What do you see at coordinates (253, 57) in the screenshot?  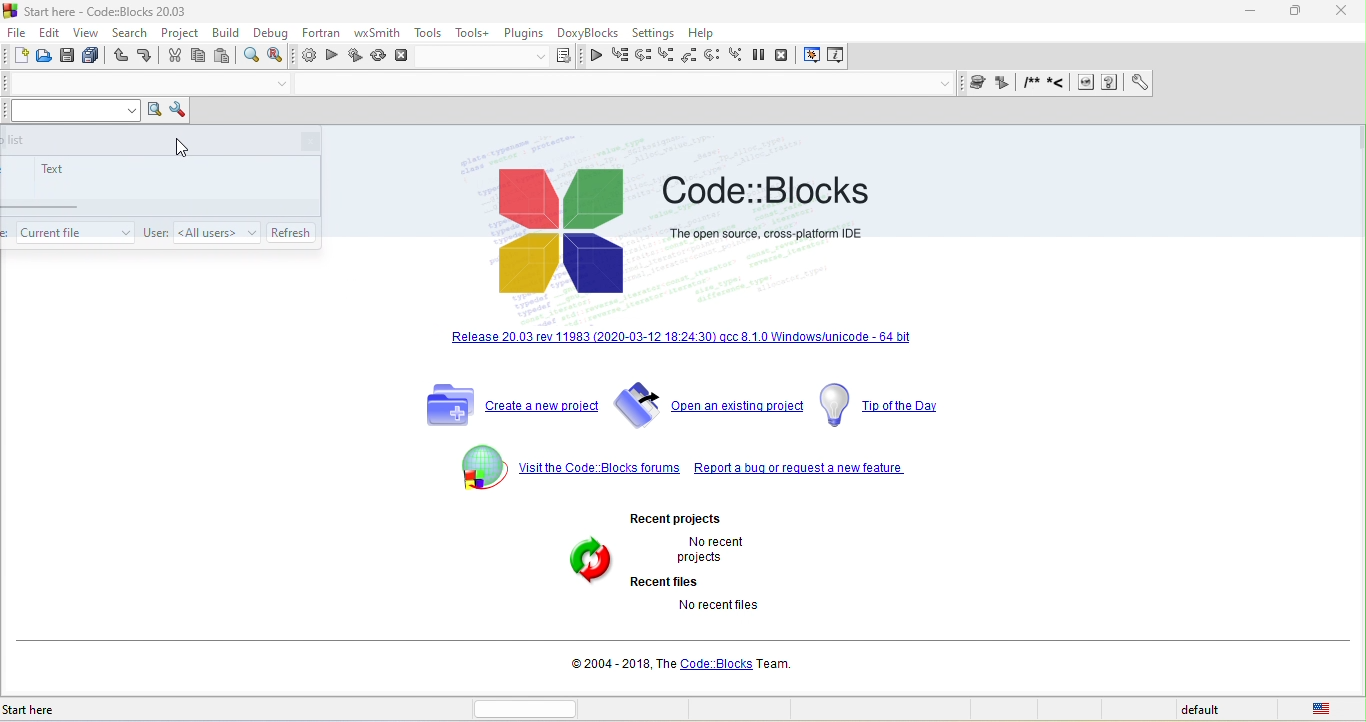 I see `find` at bounding box center [253, 57].